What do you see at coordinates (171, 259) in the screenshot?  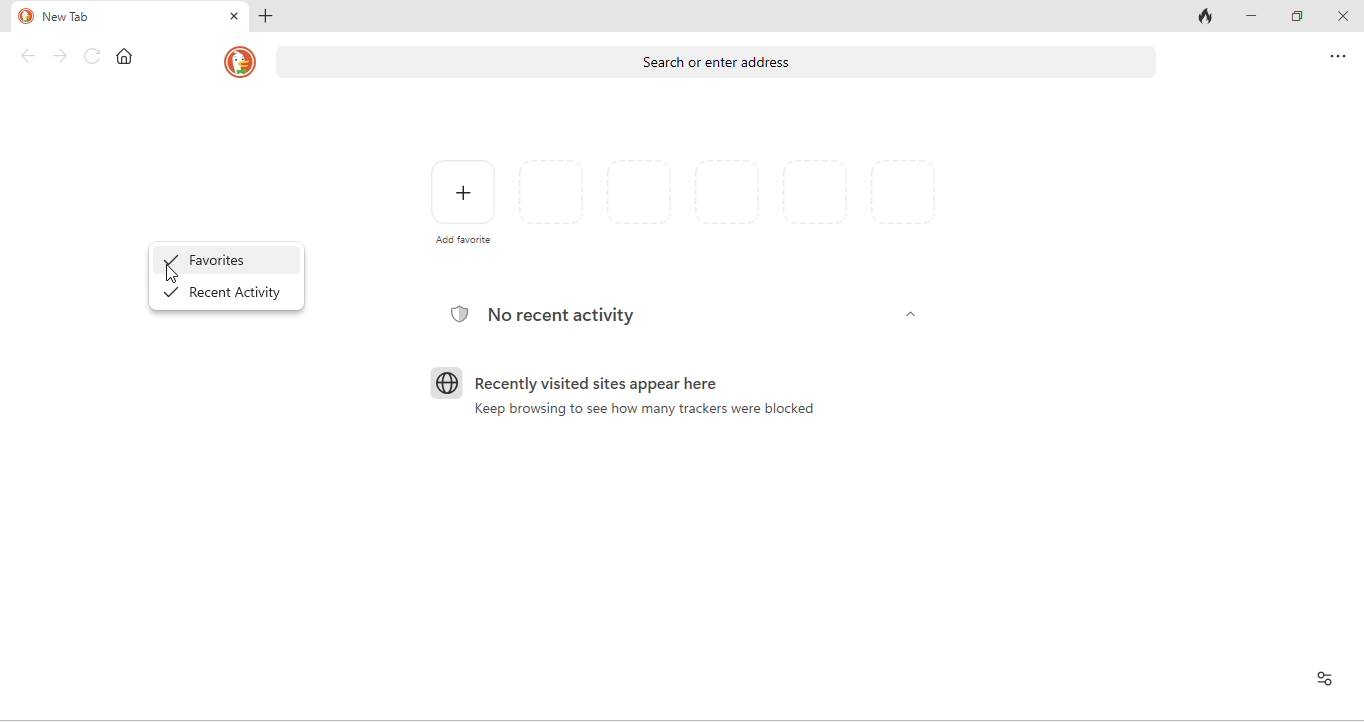 I see `checkbox enable` at bounding box center [171, 259].